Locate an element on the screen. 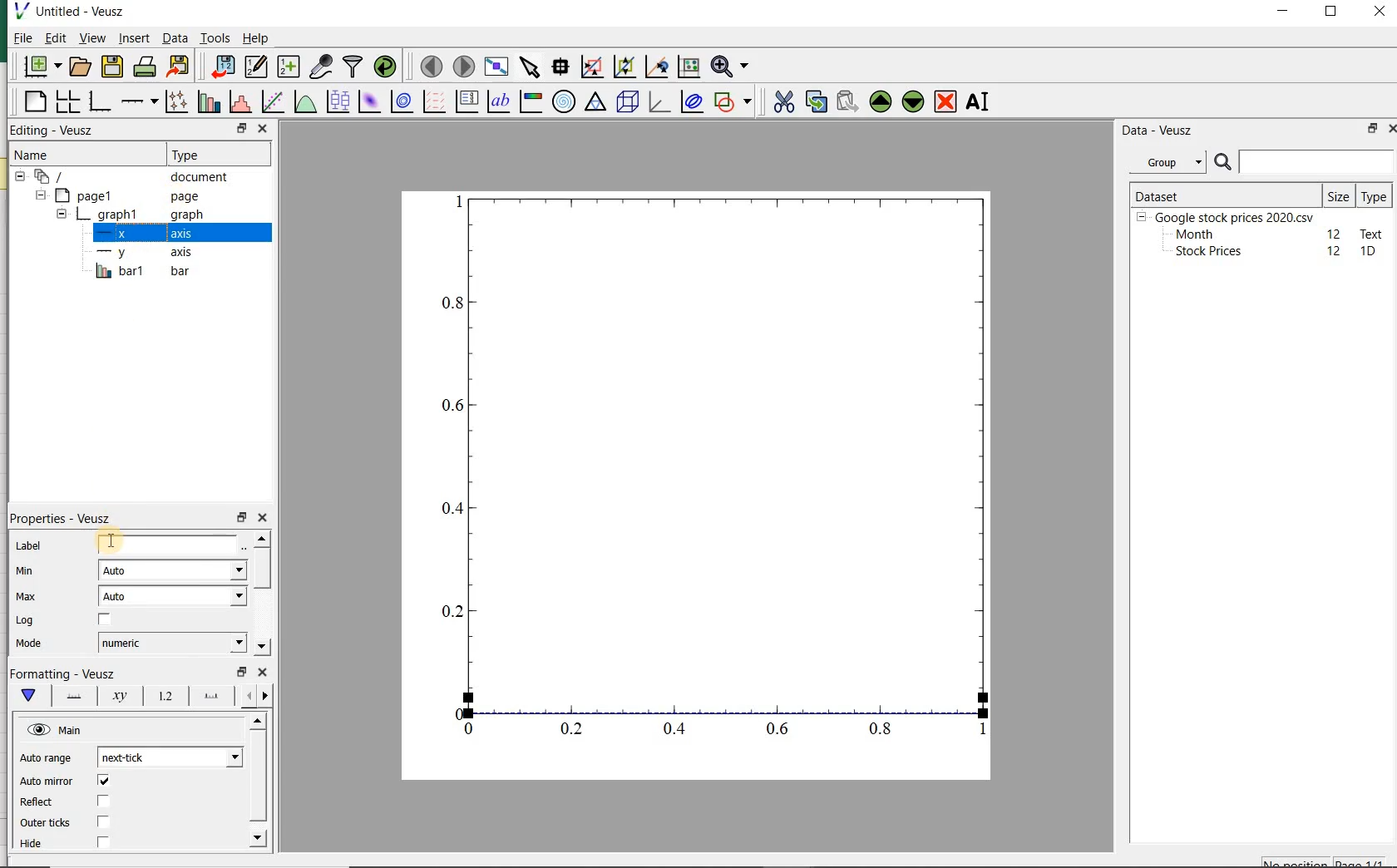  Auto is located at coordinates (173, 596).